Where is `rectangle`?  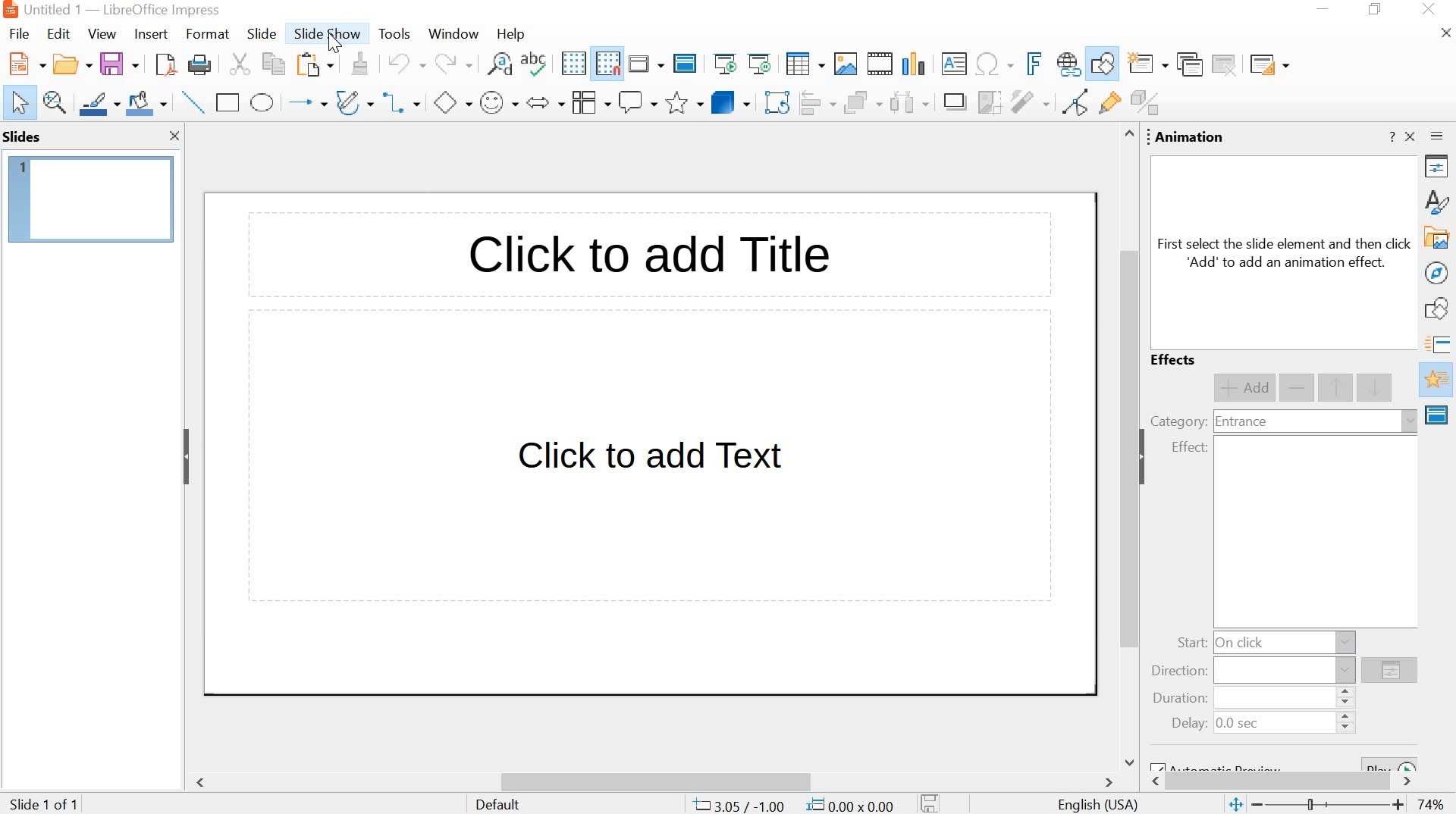
rectangle is located at coordinates (228, 102).